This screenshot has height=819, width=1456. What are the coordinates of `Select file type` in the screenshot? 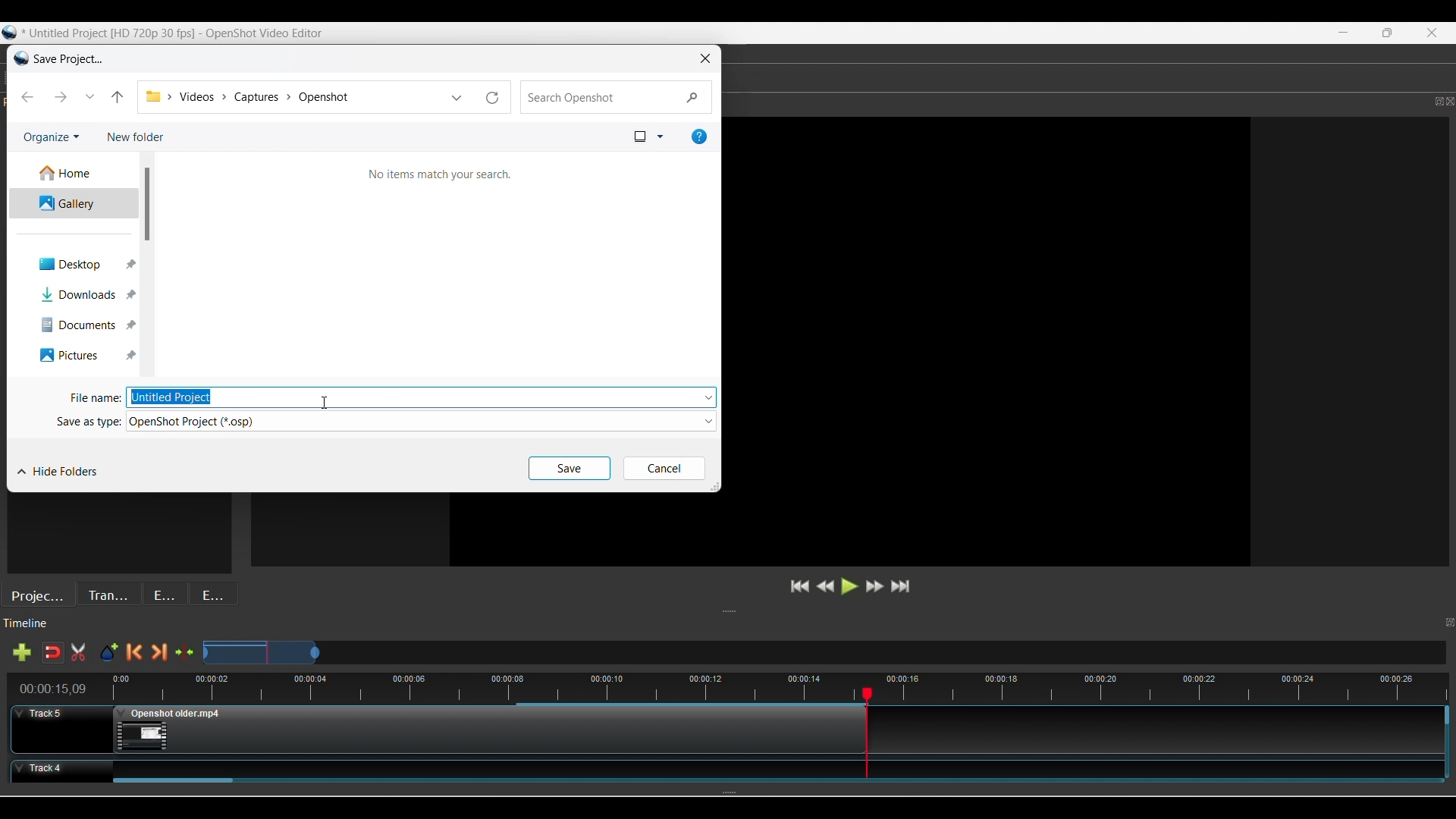 It's located at (413, 421).